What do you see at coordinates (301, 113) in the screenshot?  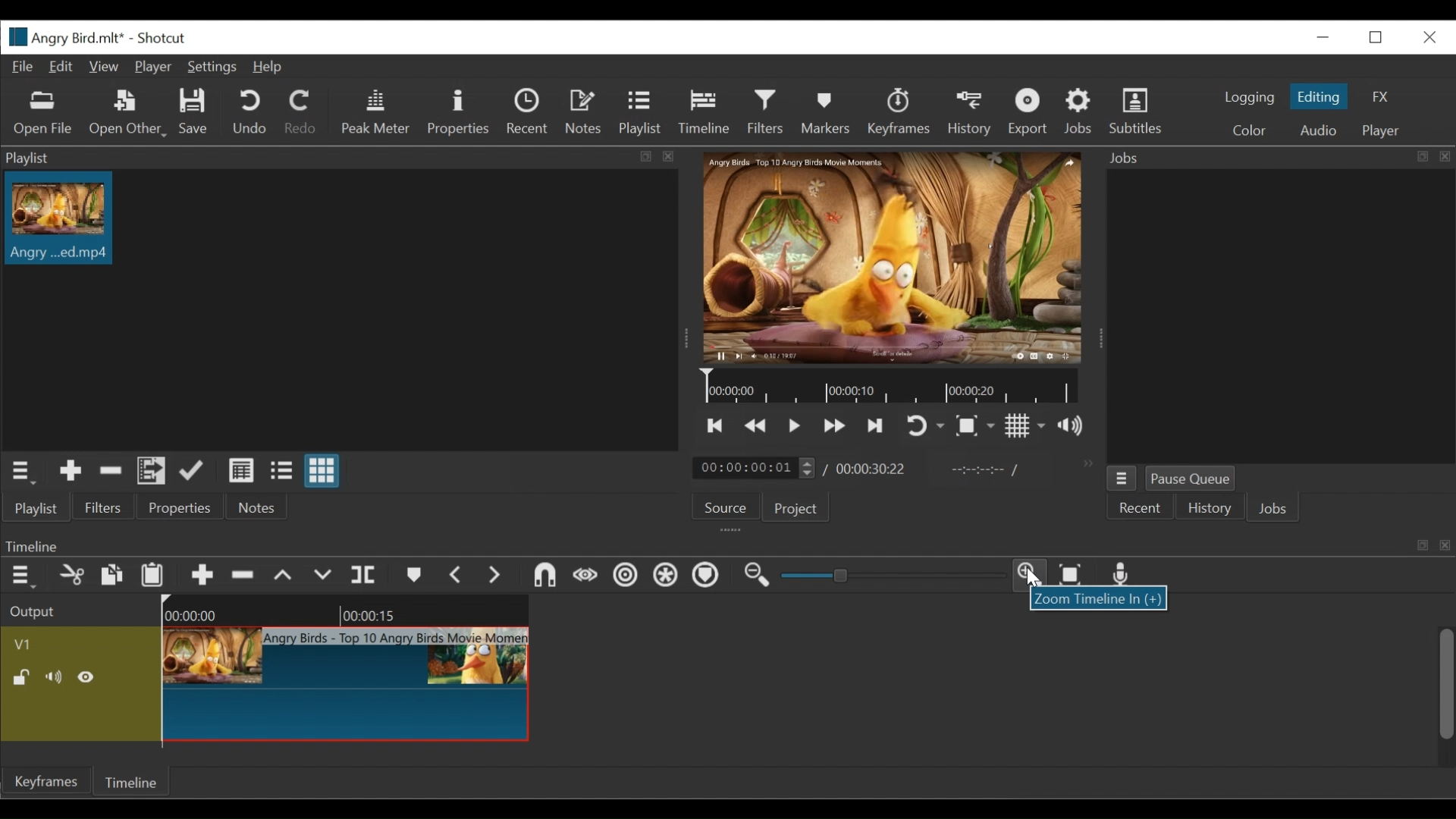 I see `Redo` at bounding box center [301, 113].